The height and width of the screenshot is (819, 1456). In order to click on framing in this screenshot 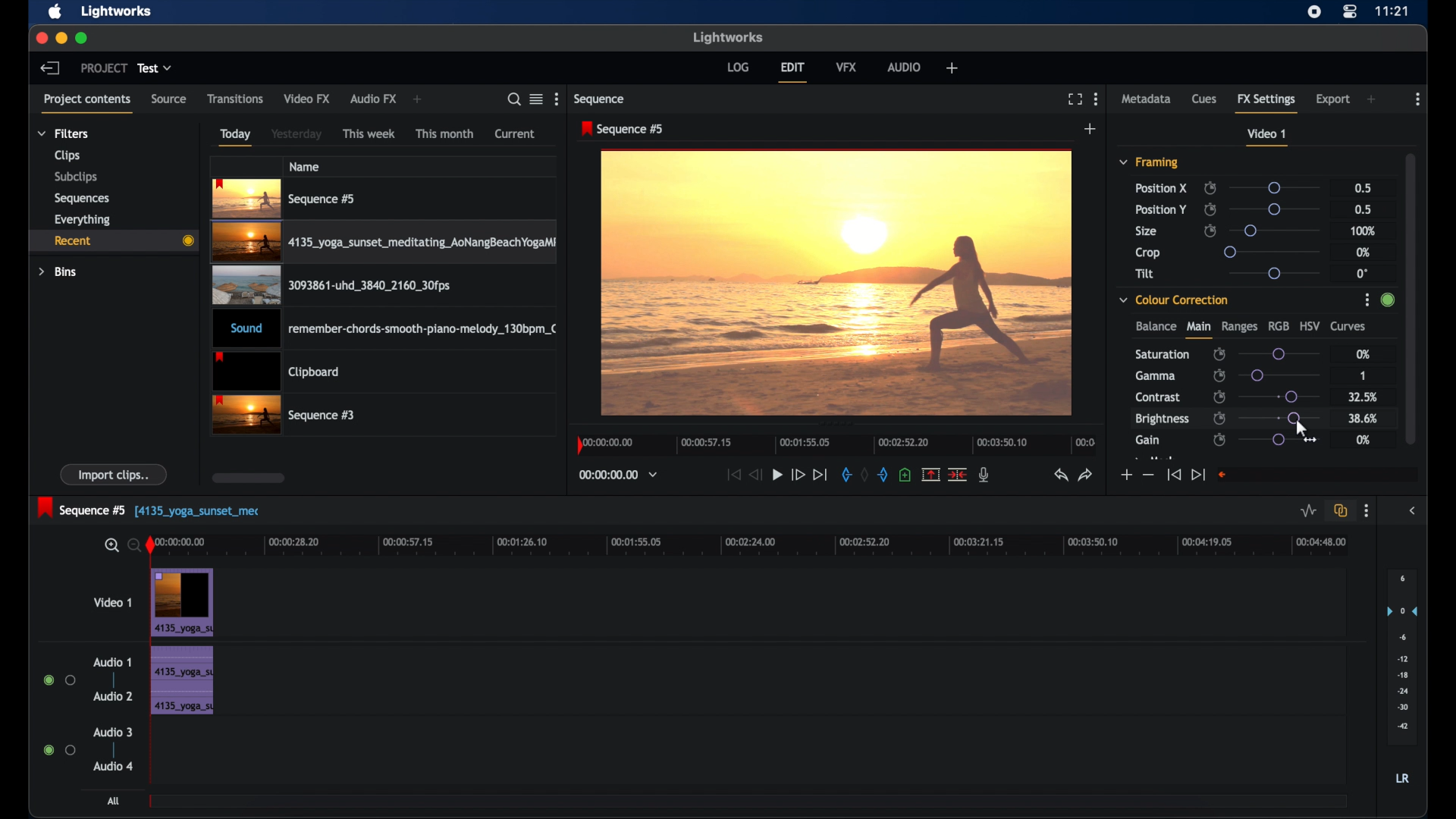, I will do `click(1148, 162)`.